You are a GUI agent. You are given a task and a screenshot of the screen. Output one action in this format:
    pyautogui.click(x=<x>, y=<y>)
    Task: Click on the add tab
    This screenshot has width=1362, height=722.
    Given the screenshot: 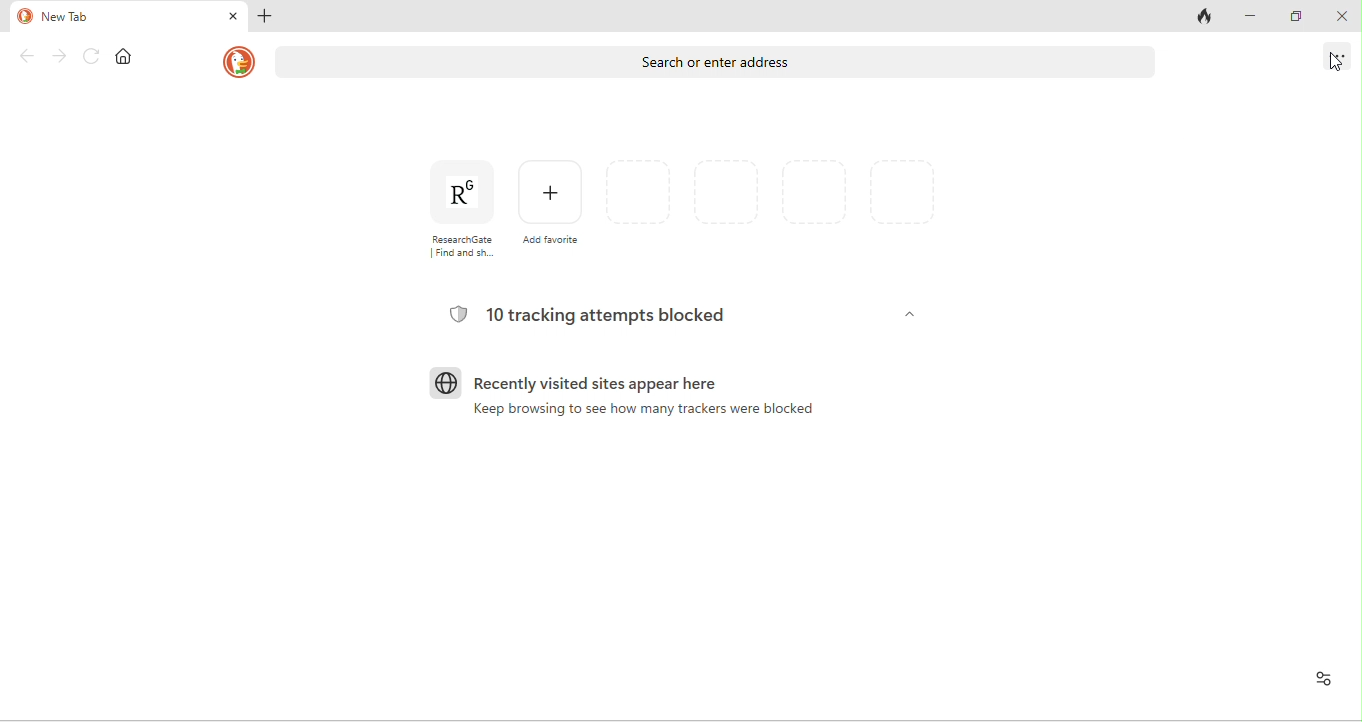 What is the action you would take?
    pyautogui.click(x=267, y=15)
    